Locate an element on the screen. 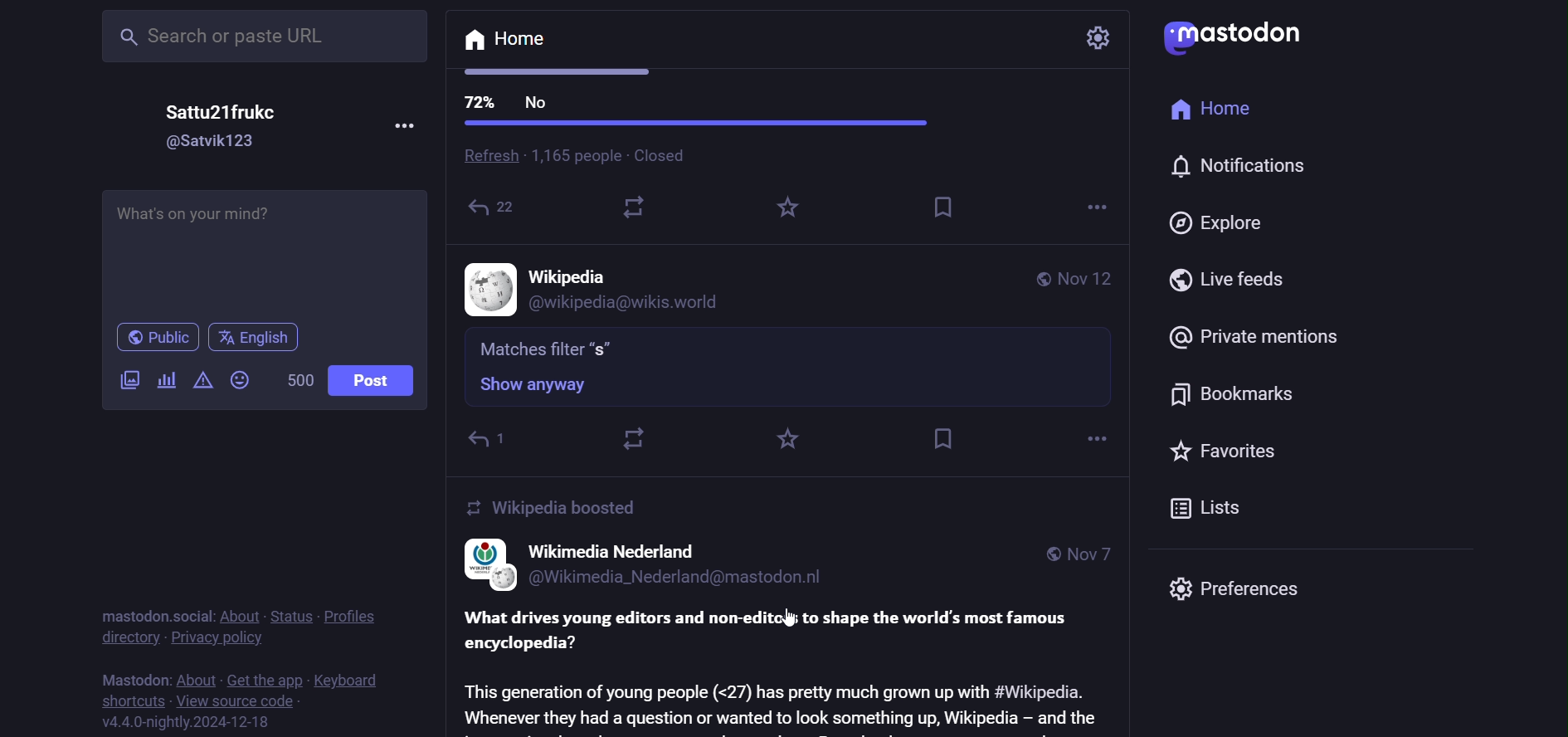 Image resolution: width=1568 pixels, height=737 pixels. save is located at coordinates (942, 441).